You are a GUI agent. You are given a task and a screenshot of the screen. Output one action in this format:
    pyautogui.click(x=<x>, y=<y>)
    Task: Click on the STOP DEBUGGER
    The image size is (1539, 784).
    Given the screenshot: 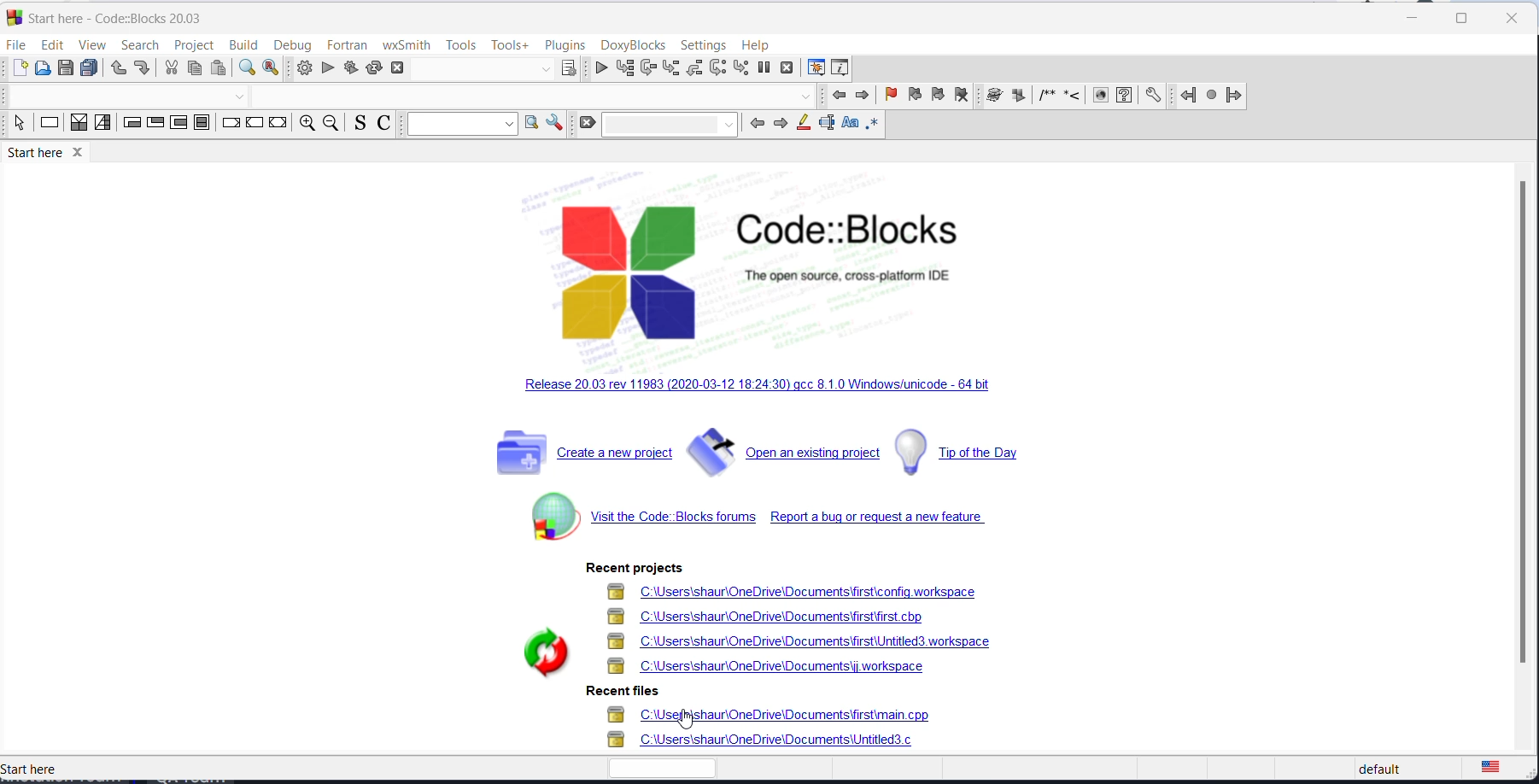 What is the action you would take?
    pyautogui.click(x=787, y=67)
    